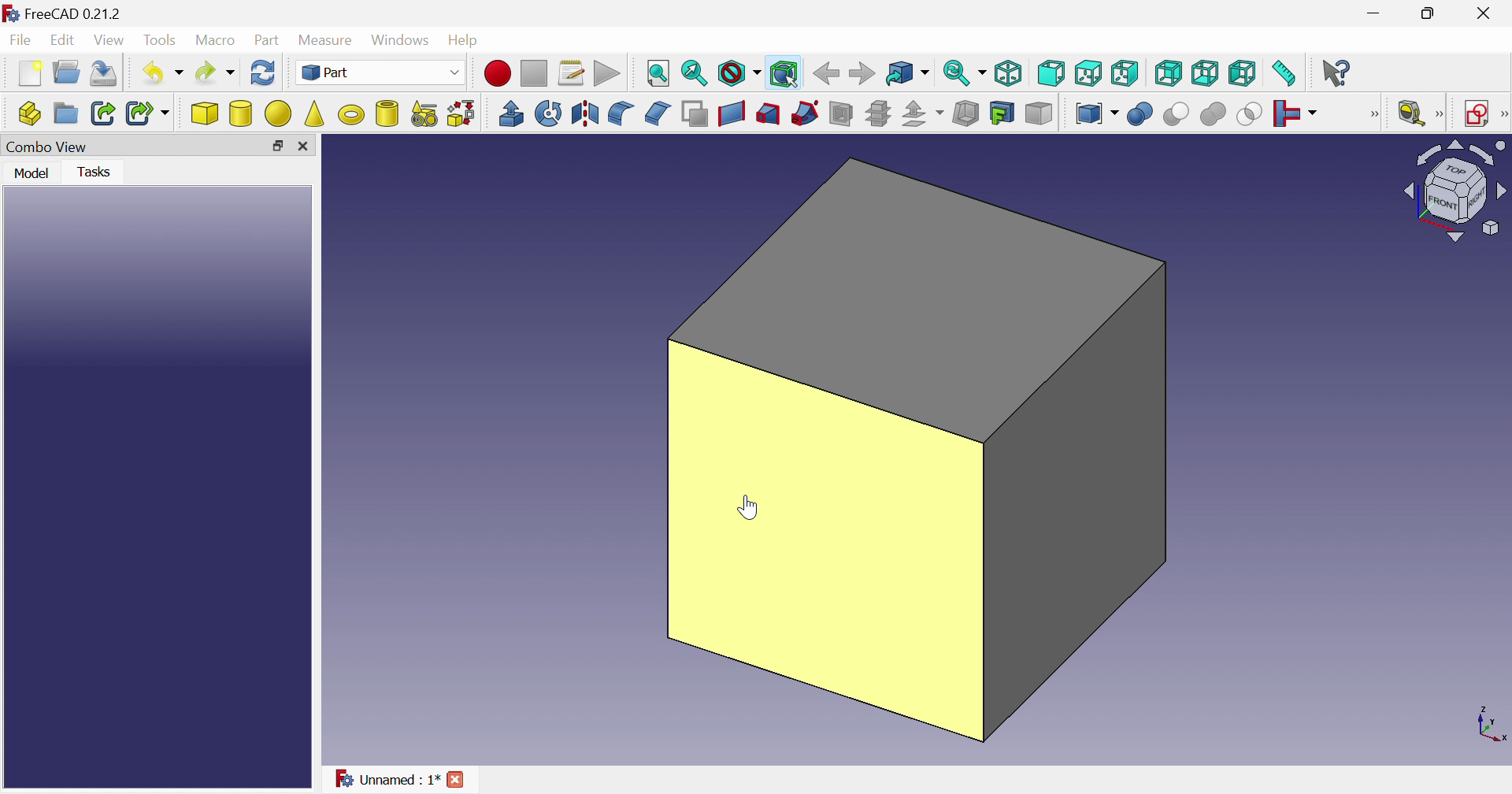 This screenshot has width=1512, height=794. What do you see at coordinates (535, 75) in the screenshot?
I see `Stop macro recording` at bounding box center [535, 75].